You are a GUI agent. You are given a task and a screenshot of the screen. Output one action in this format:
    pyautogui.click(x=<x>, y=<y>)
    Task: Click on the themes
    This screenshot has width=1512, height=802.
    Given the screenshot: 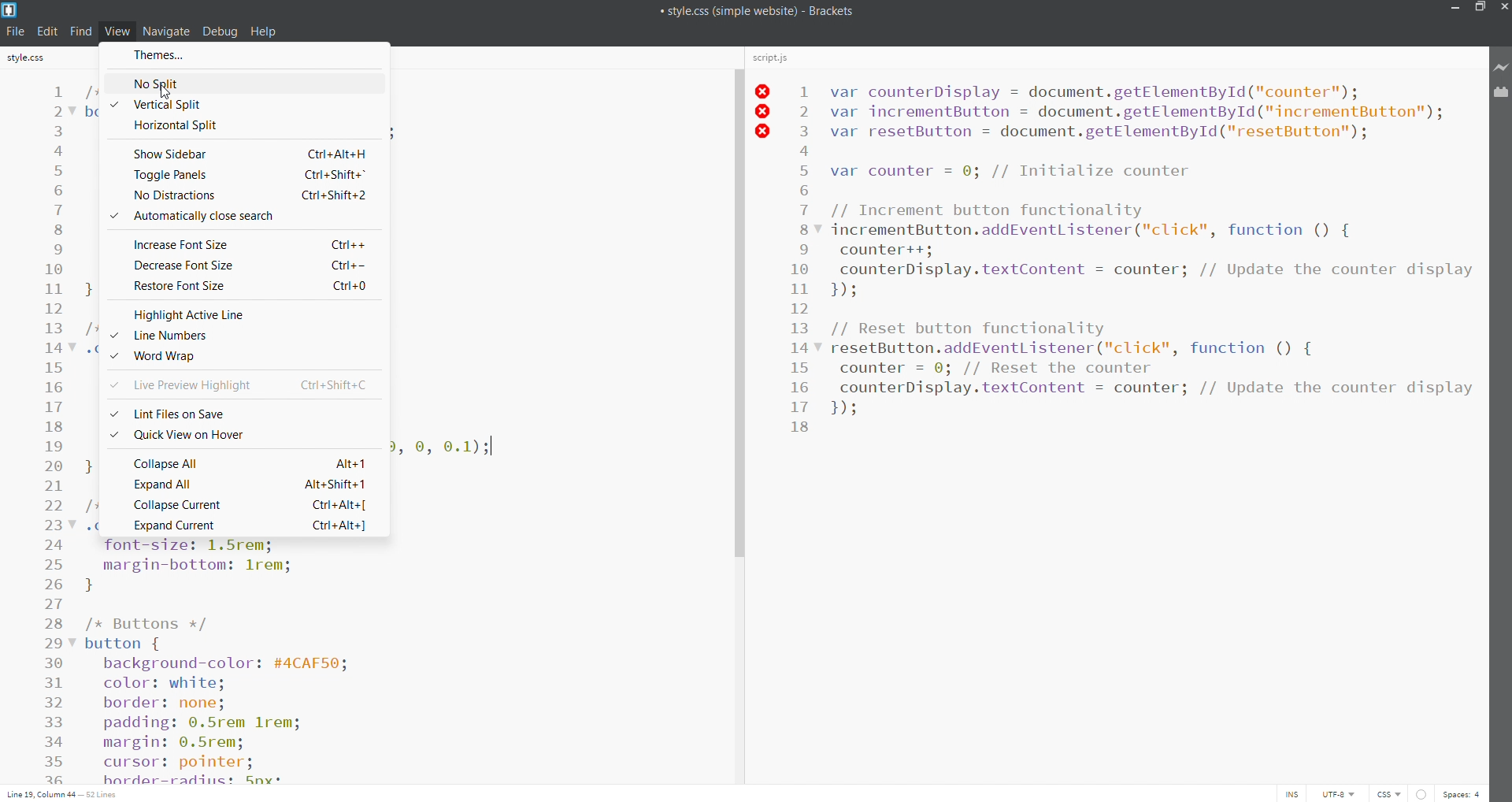 What is the action you would take?
    pyautogui.click(x=247, y=55)
    